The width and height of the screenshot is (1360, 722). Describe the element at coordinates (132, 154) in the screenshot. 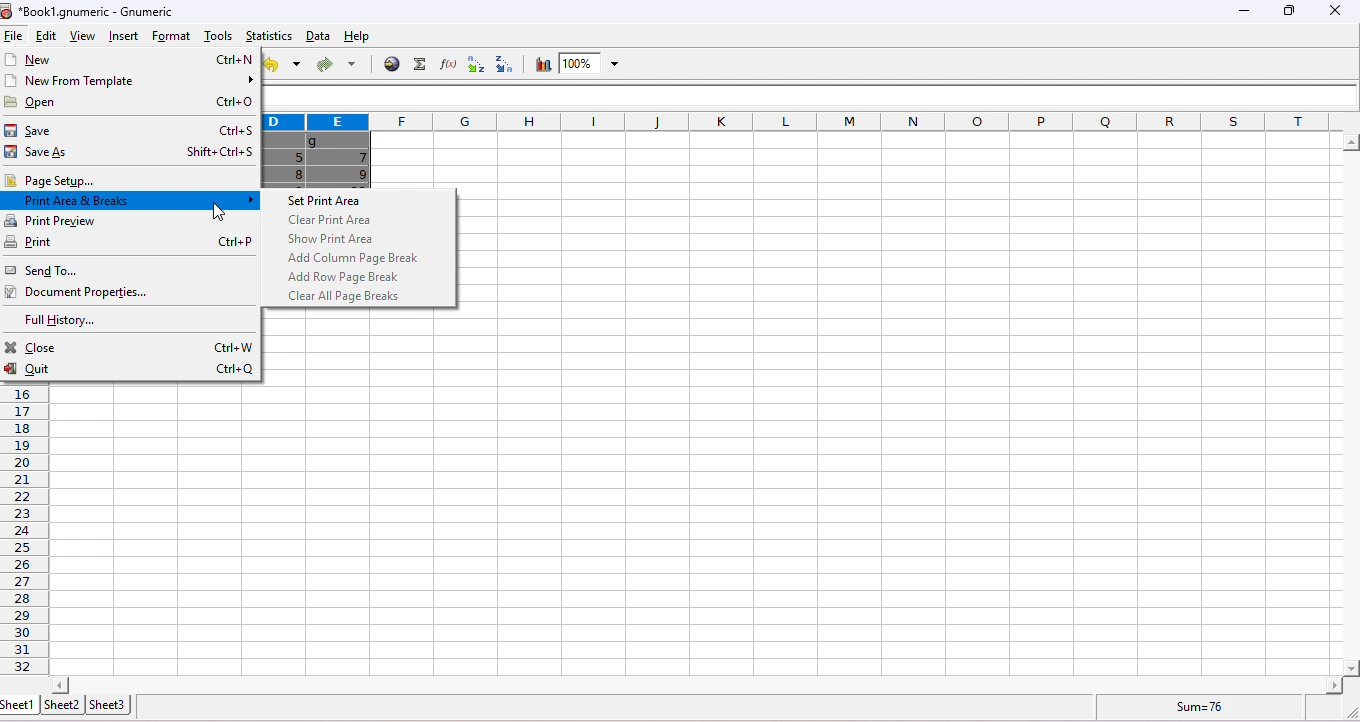

I see `save as` at that location.